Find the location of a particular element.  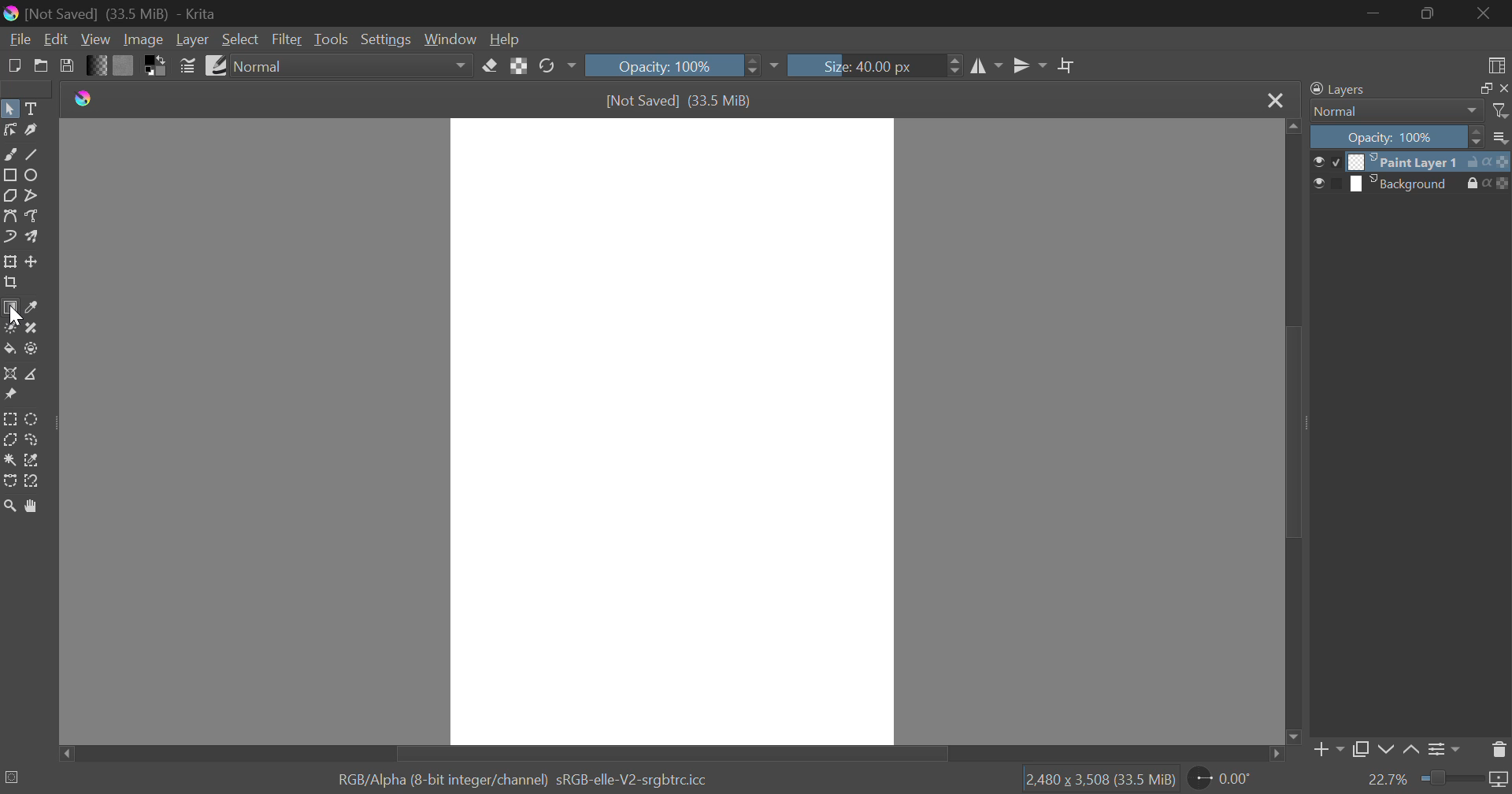

Select is located at coordinates (240, 39).